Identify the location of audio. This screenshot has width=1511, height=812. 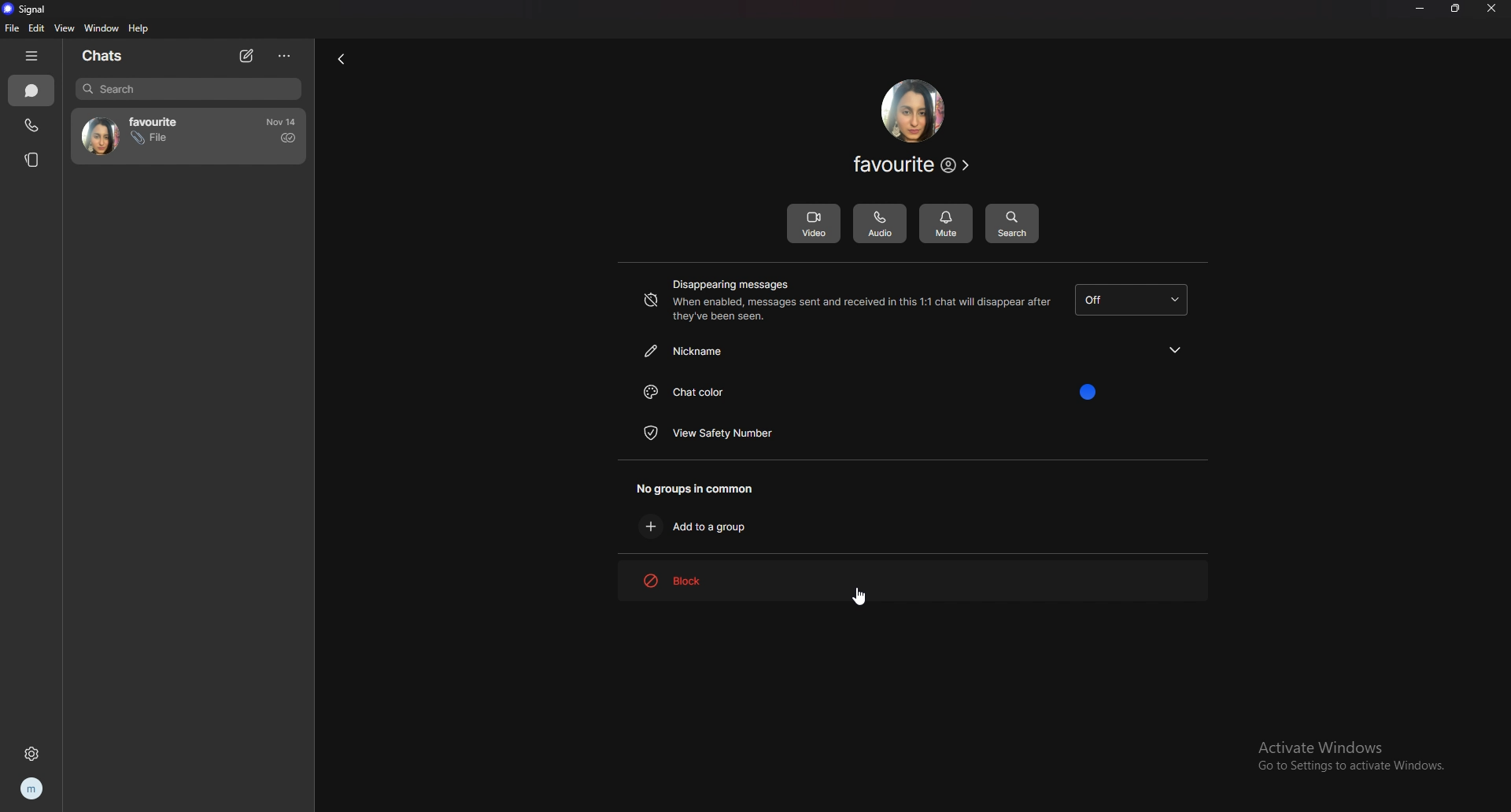
(879, 224).